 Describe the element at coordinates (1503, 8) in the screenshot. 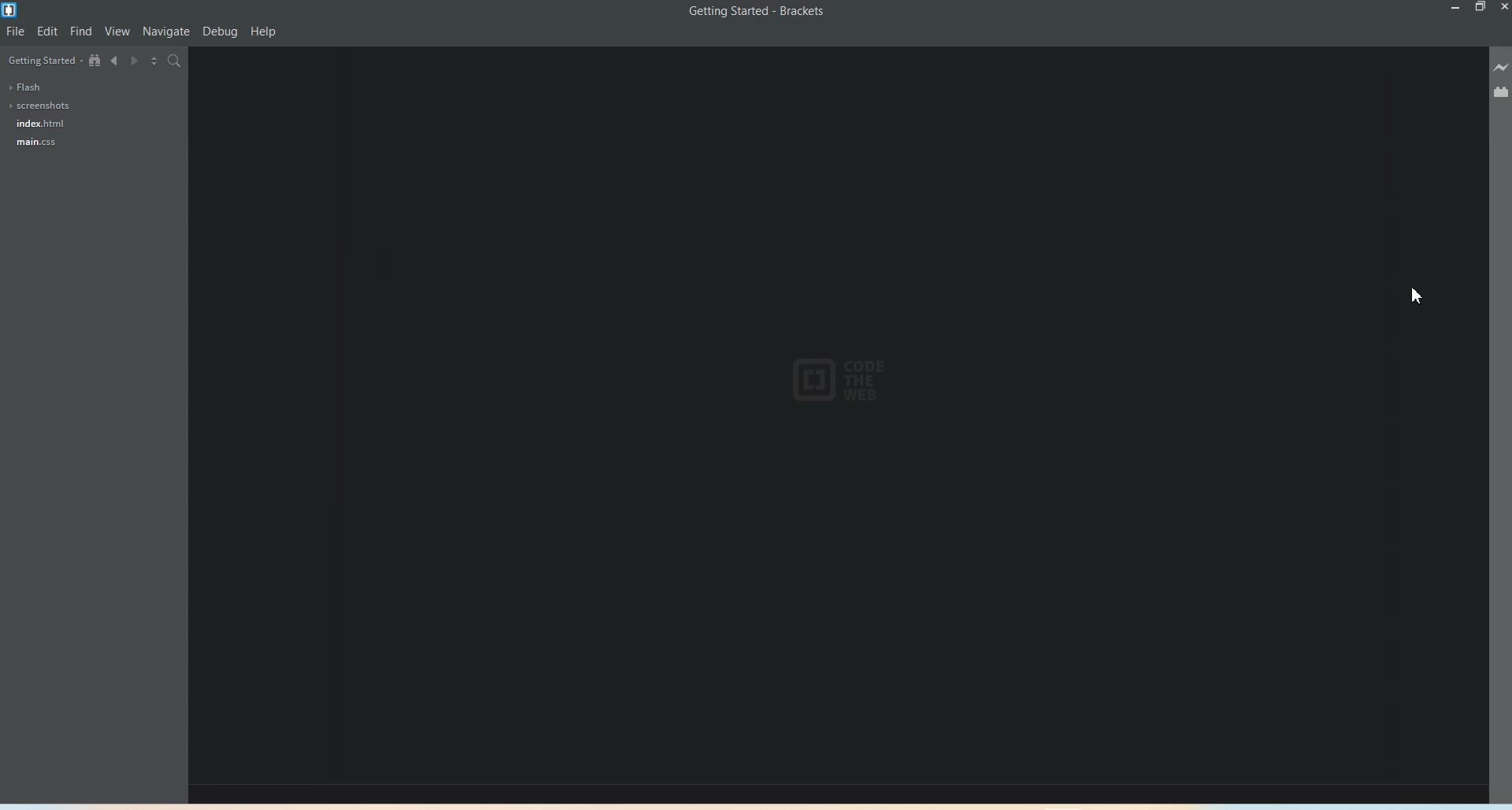

I see `Close` at that location.